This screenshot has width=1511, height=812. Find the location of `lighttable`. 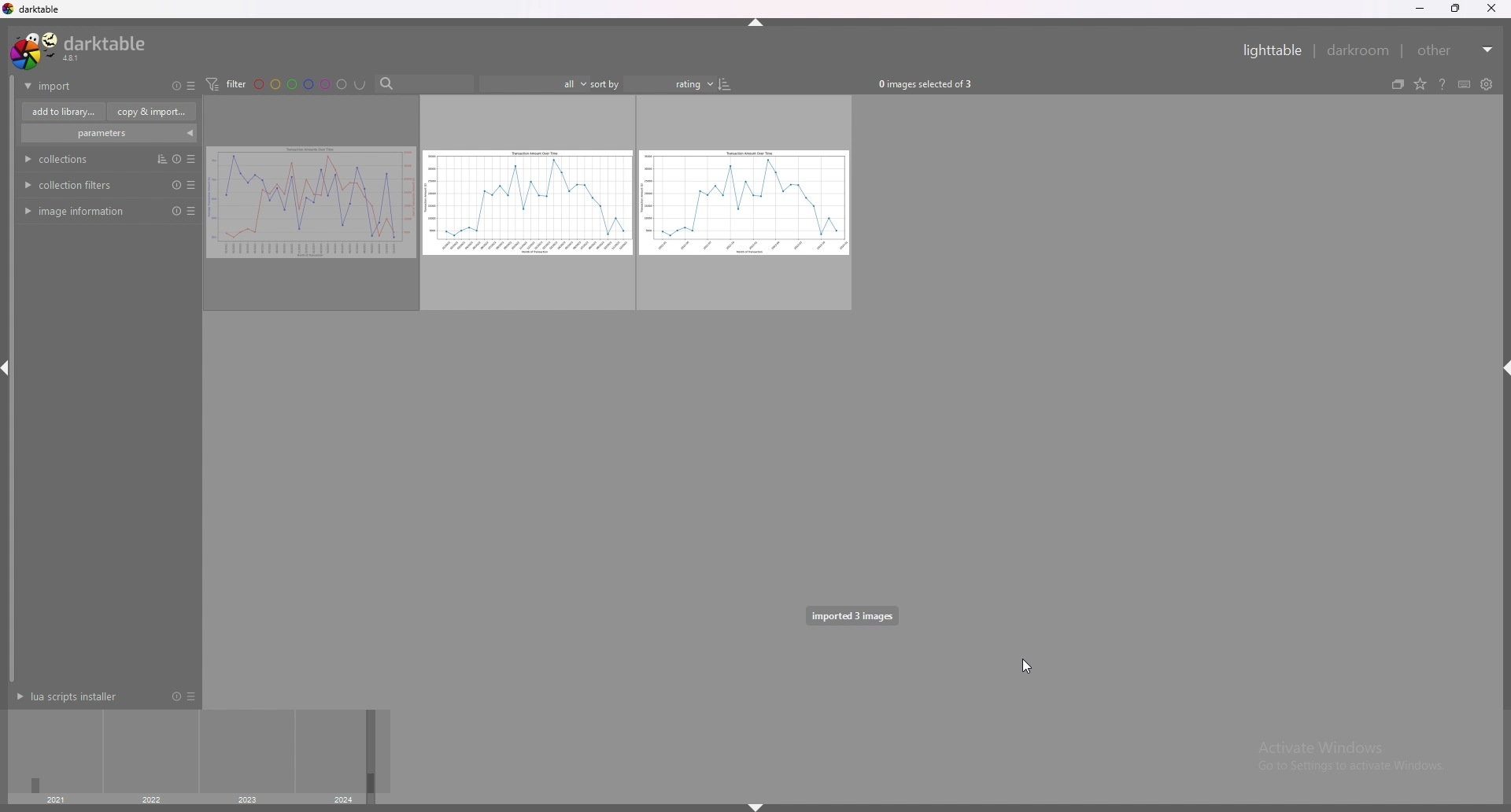

lighttable is located at coordinates (1275, 50).